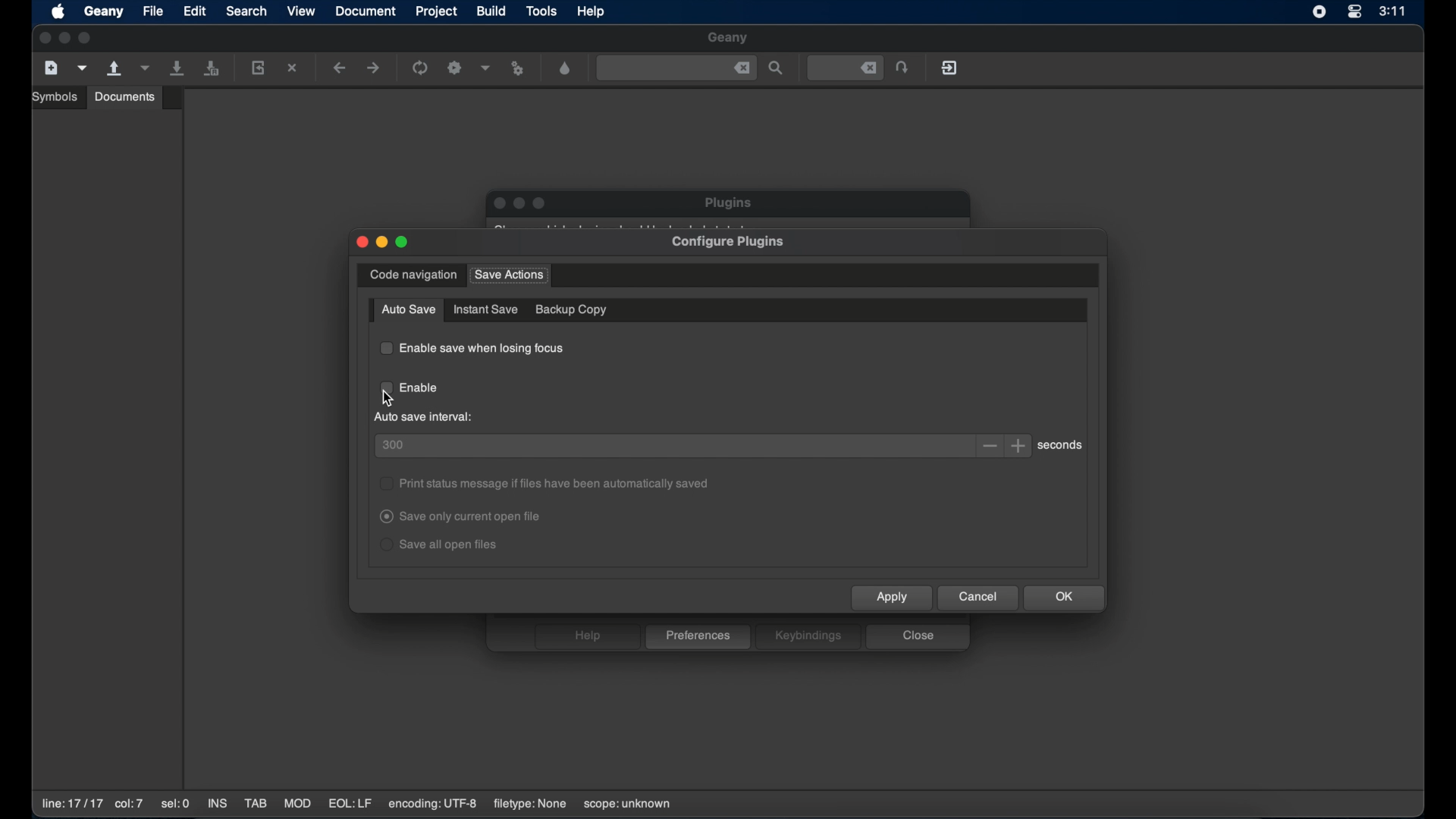 Image resolution: width=1456 pixels, height=819 pixels. I want to click on find the entered text in the file, so click(777, 69).